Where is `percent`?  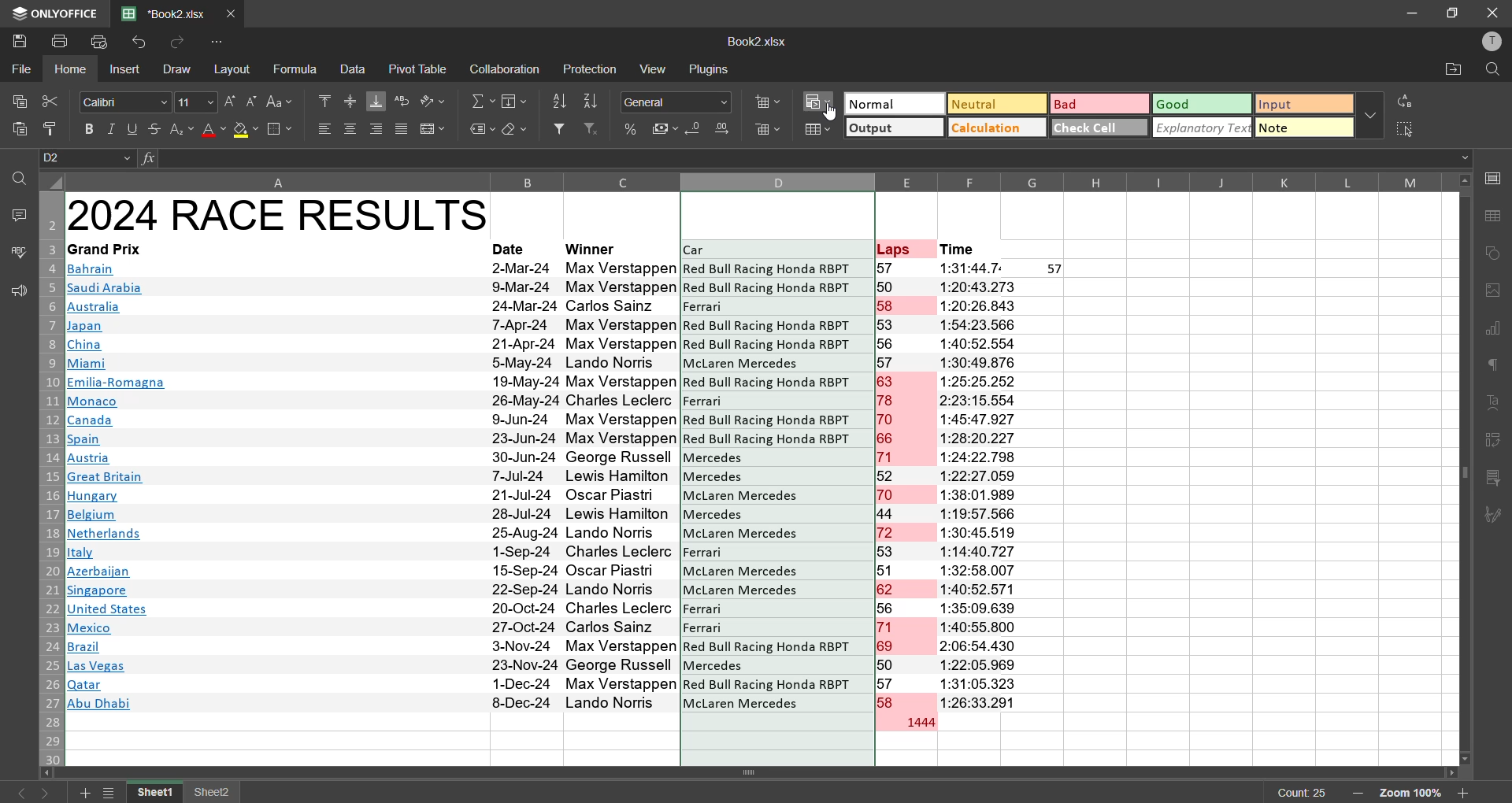 percent is located at coordinates (632, 130).